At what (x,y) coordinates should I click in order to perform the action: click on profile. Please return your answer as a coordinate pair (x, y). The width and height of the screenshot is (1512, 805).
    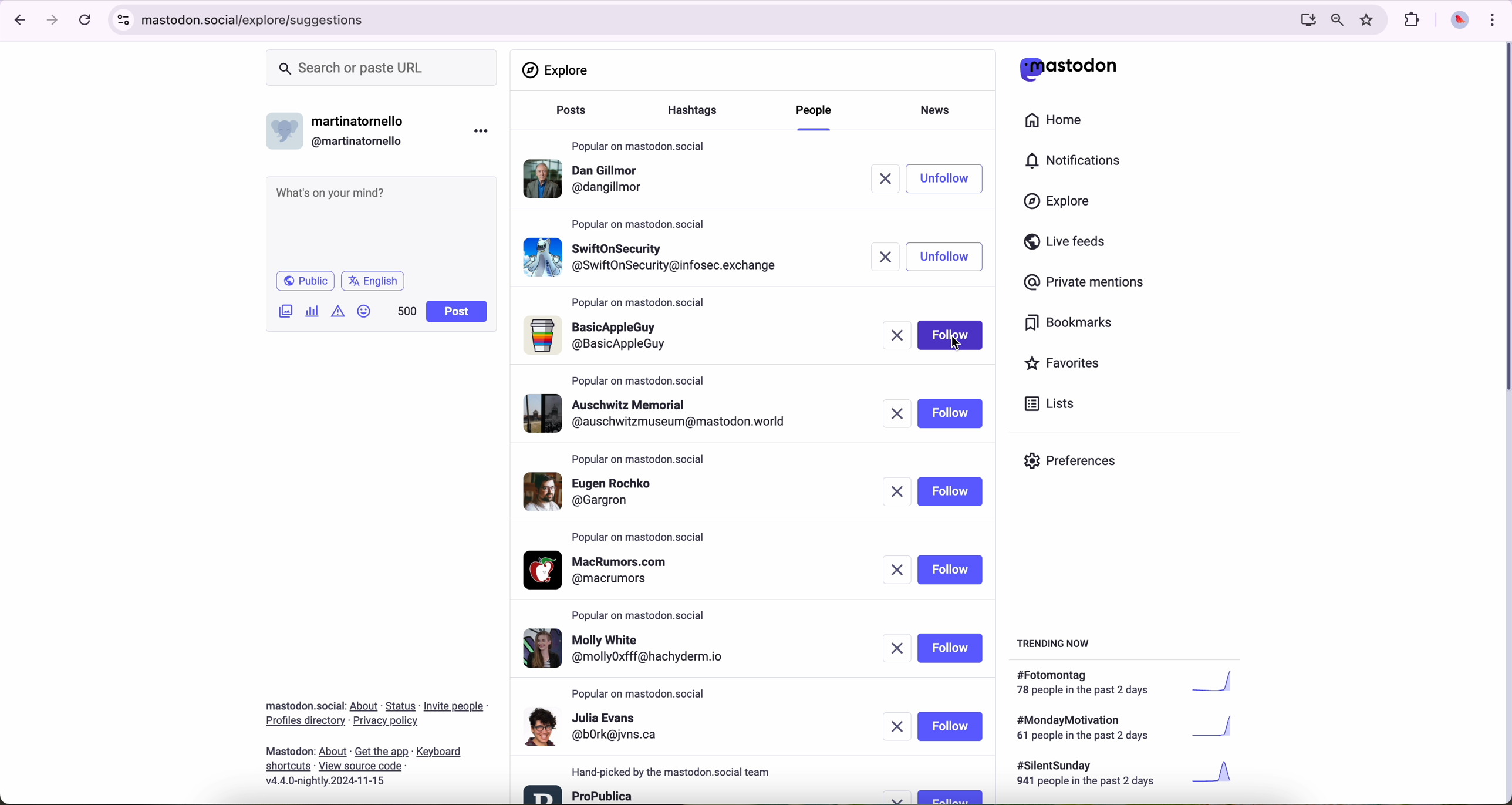
    Looking at the image, I should click on (580, 793).